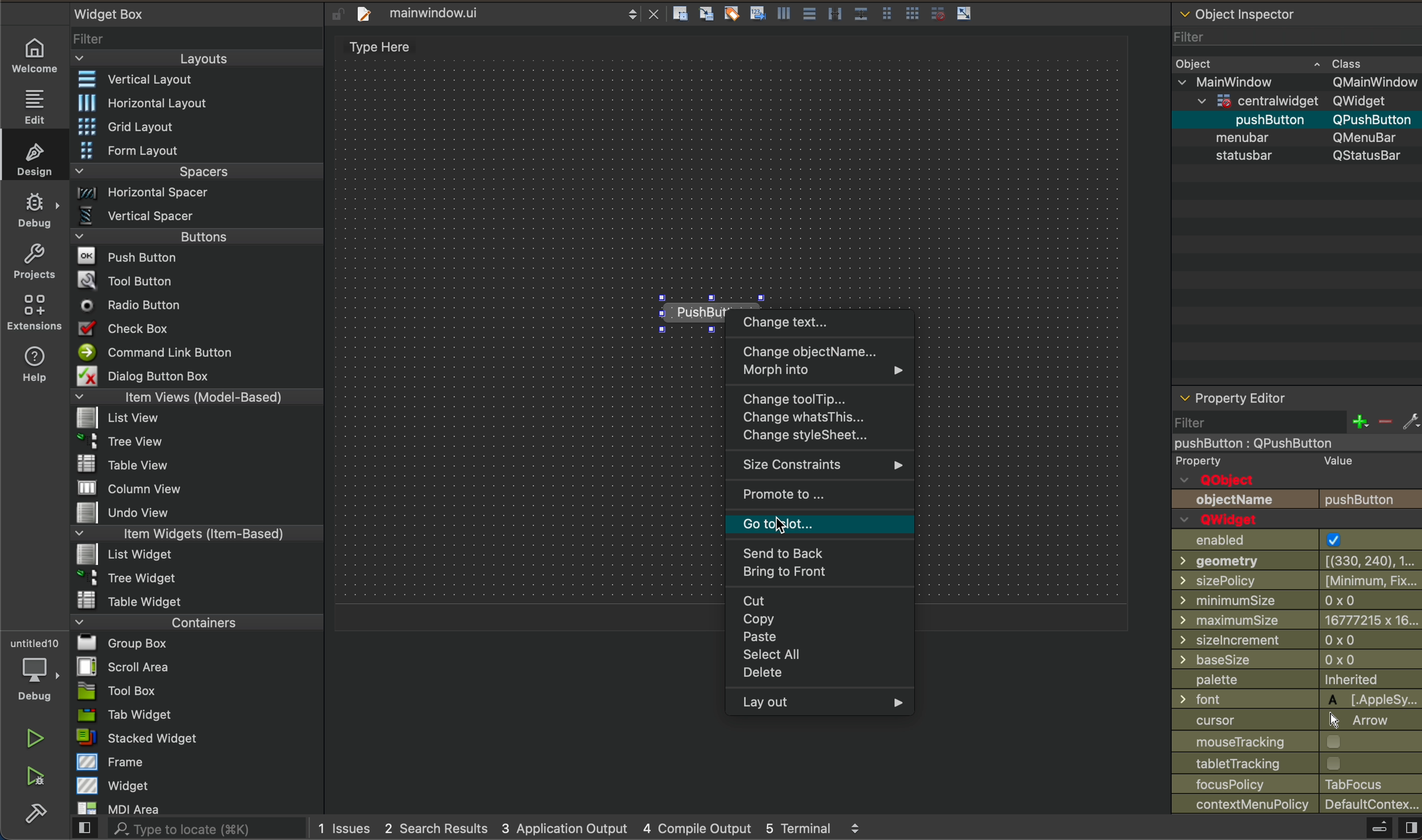 The image size is (1422, 840). Describe the element at coordinates (33, 368) in the screenshot. I see `help` at that location.